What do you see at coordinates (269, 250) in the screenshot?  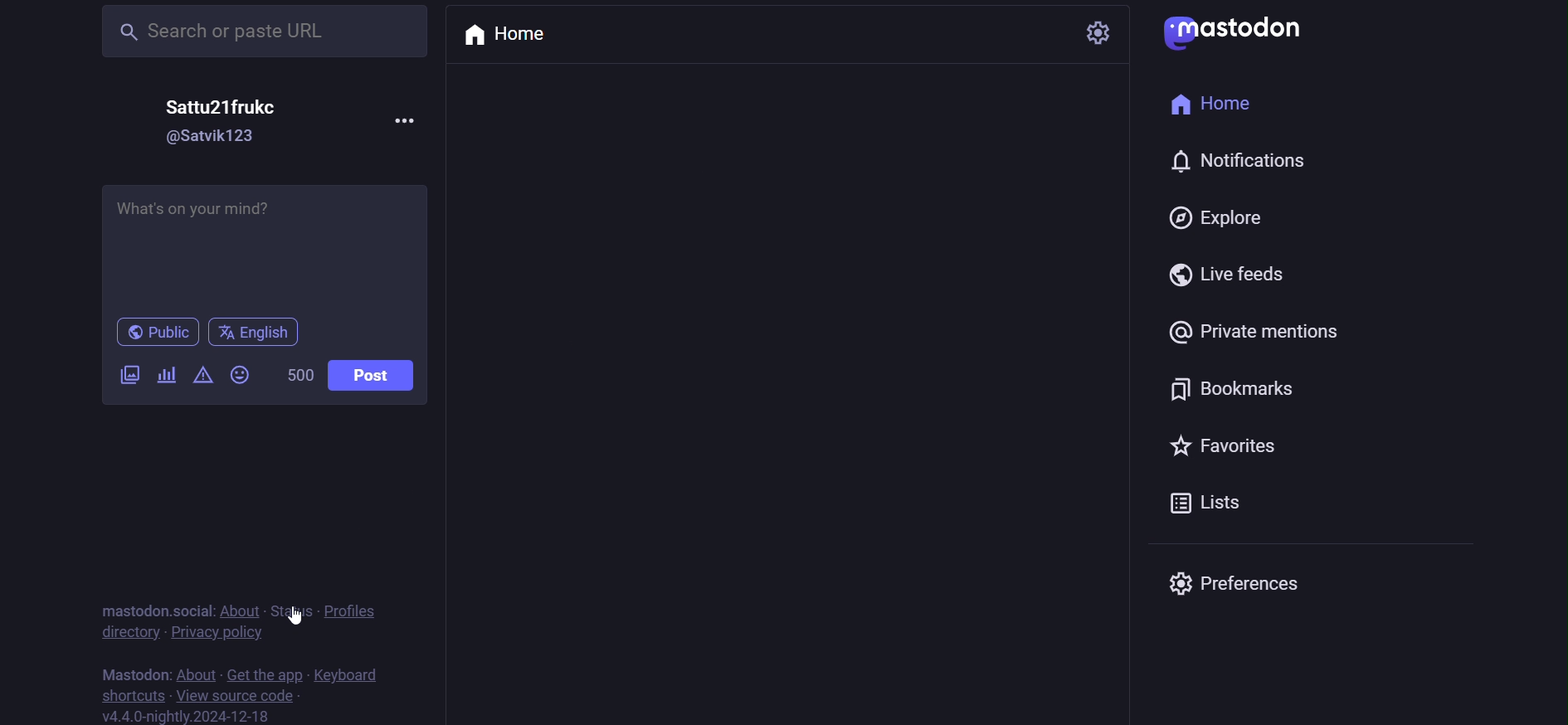 I see `post here` at bounding box center [269, 250].